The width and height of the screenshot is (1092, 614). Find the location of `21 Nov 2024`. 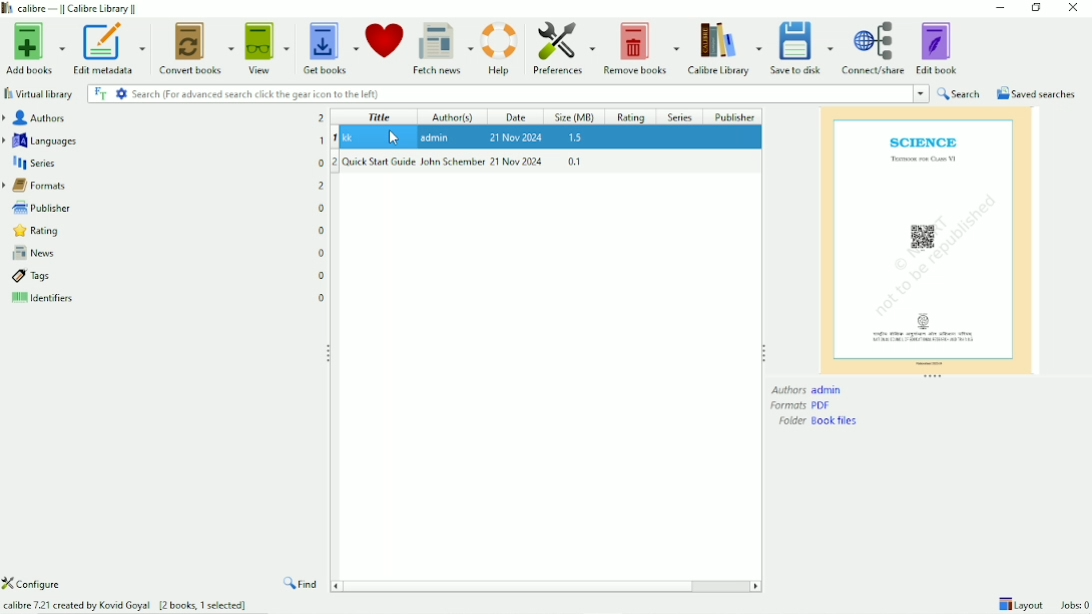

21 Nov 2024 is located at coordinates (516, 136).